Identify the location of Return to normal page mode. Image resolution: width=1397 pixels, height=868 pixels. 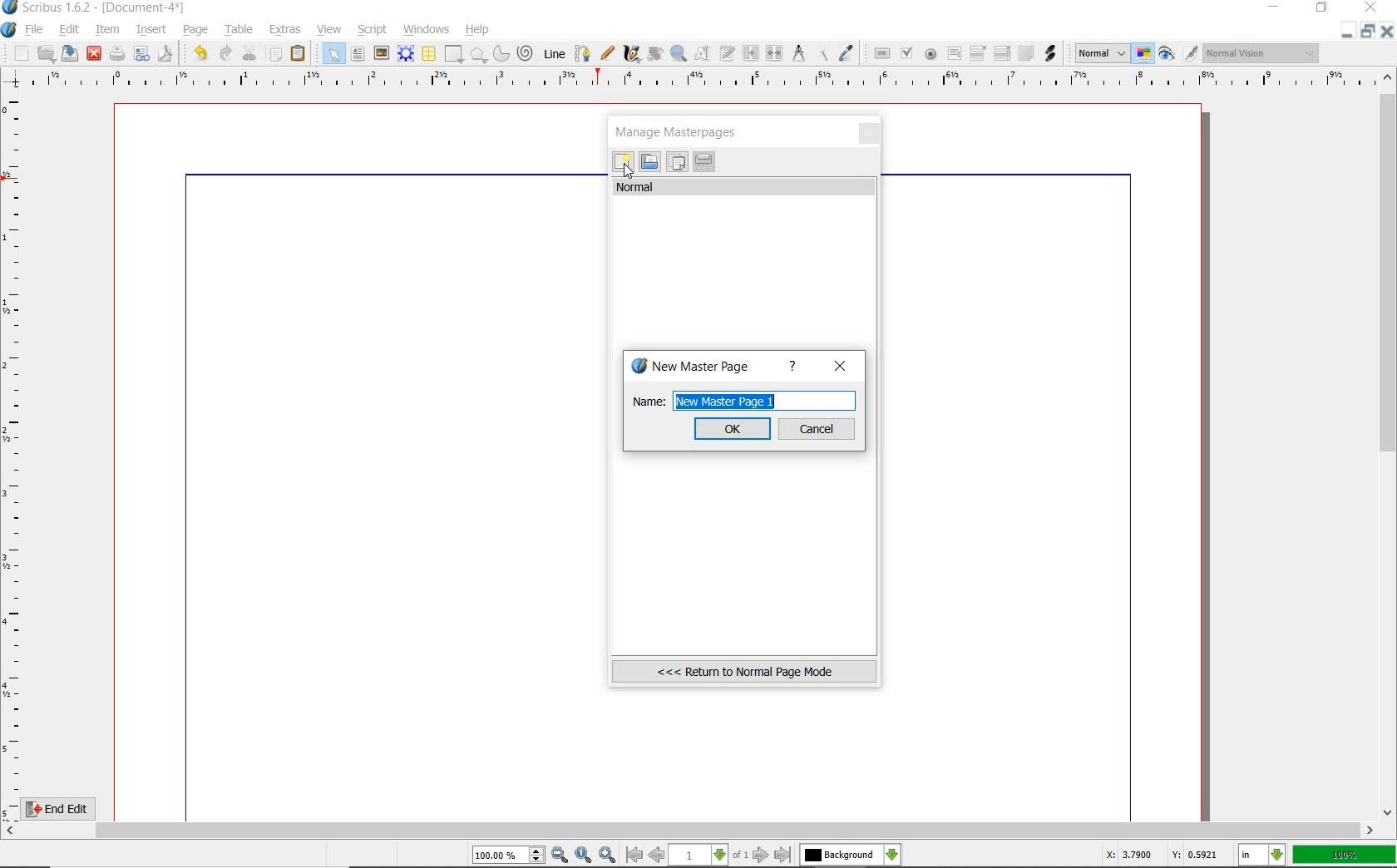
(744, 671).